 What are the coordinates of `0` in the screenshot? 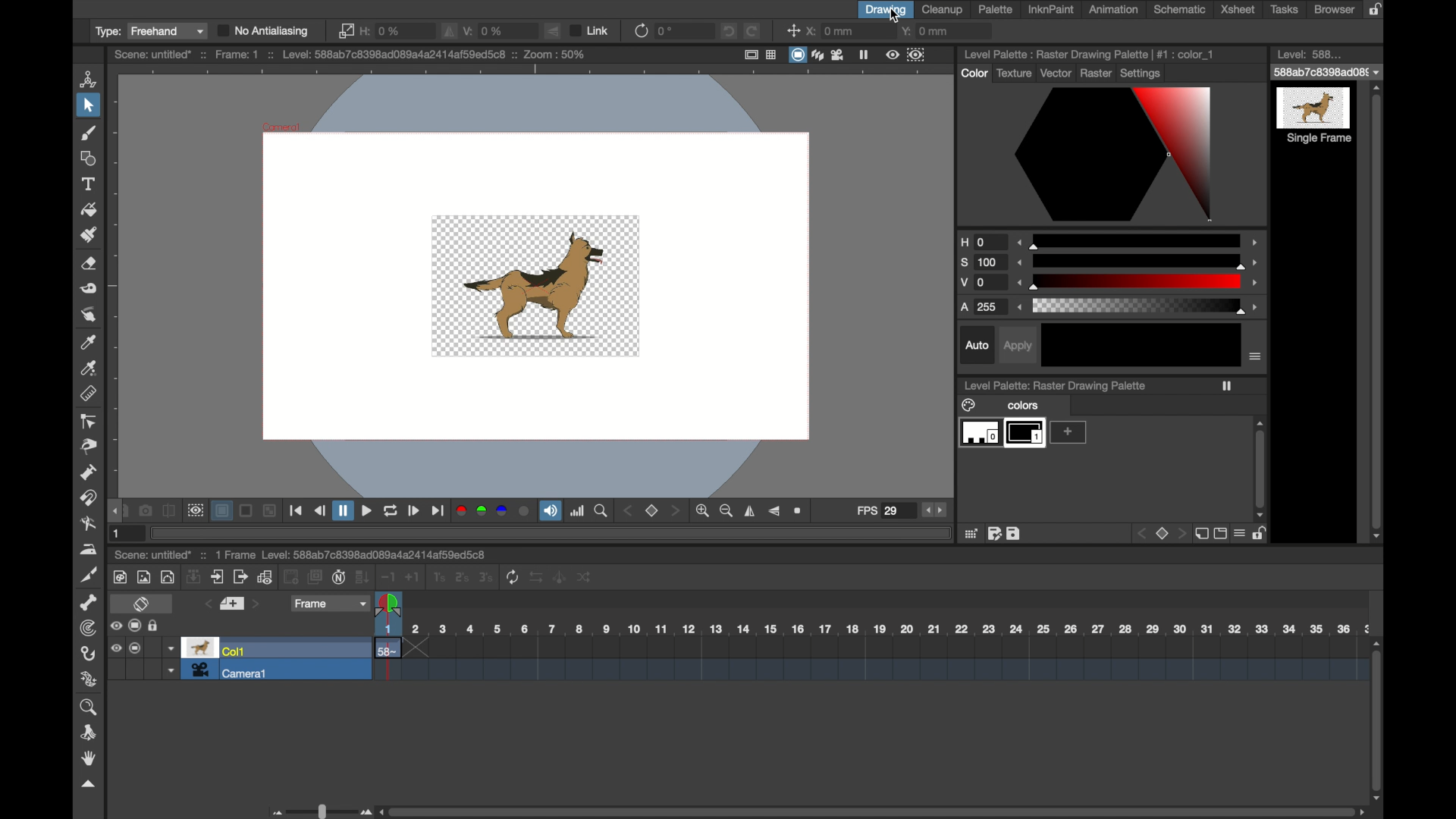 It's located at (665, 31).